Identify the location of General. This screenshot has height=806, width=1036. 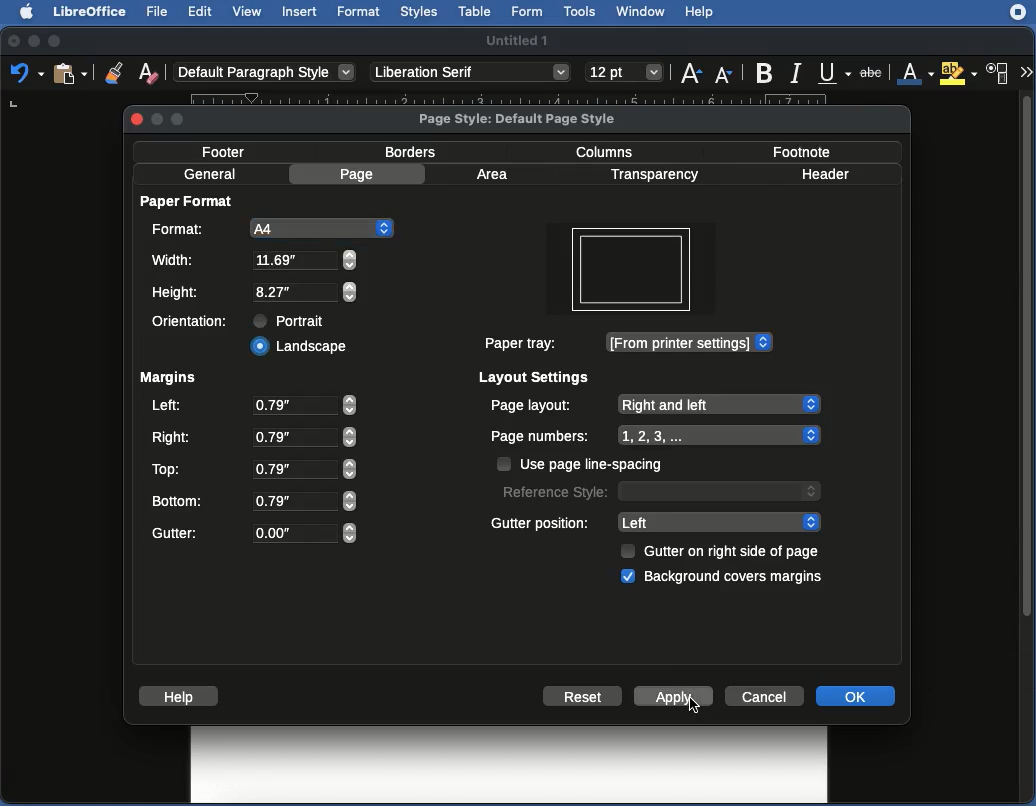
(212, 173).